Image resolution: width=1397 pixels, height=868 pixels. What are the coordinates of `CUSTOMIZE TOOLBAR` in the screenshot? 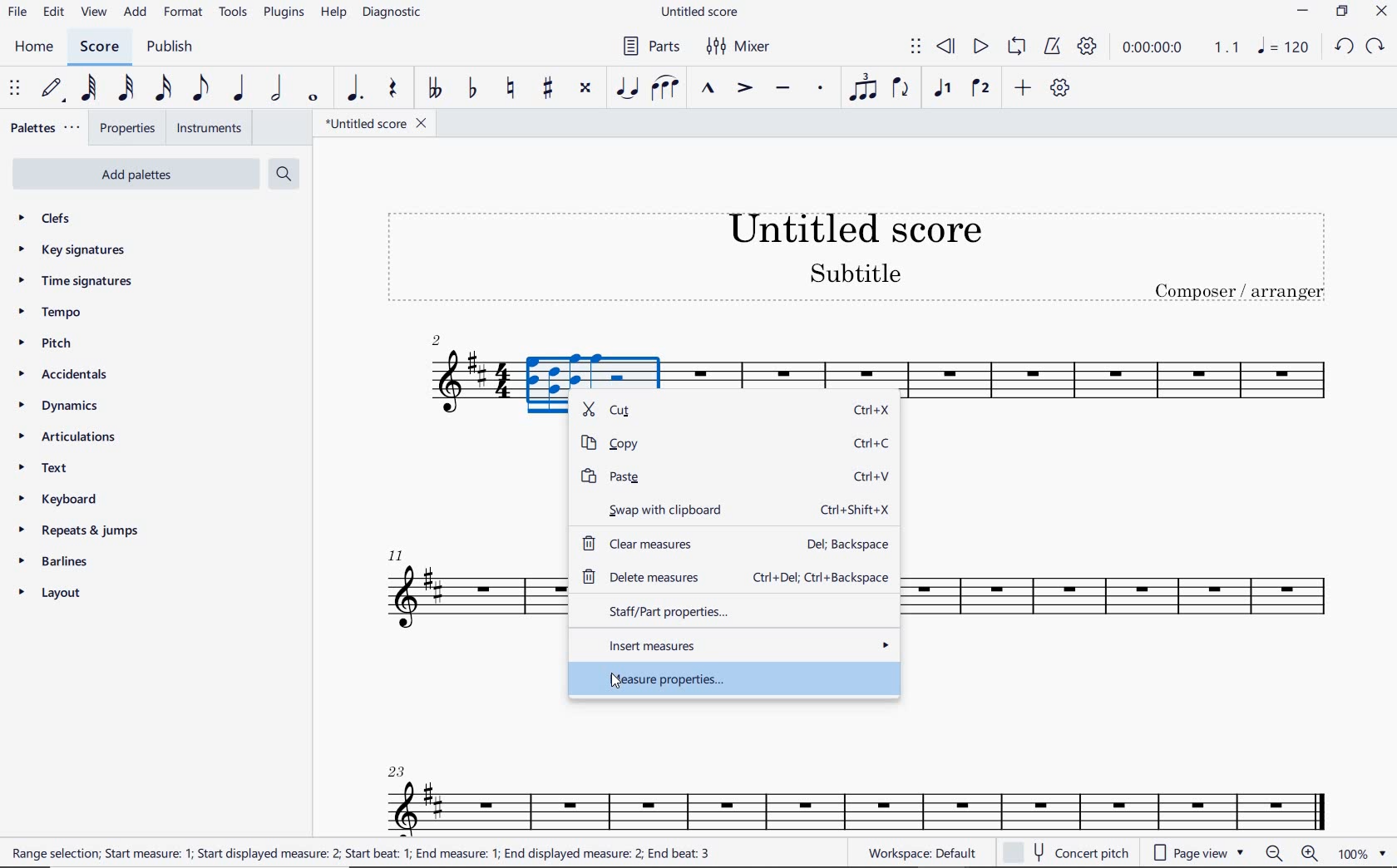 It's located at (1060, 88).